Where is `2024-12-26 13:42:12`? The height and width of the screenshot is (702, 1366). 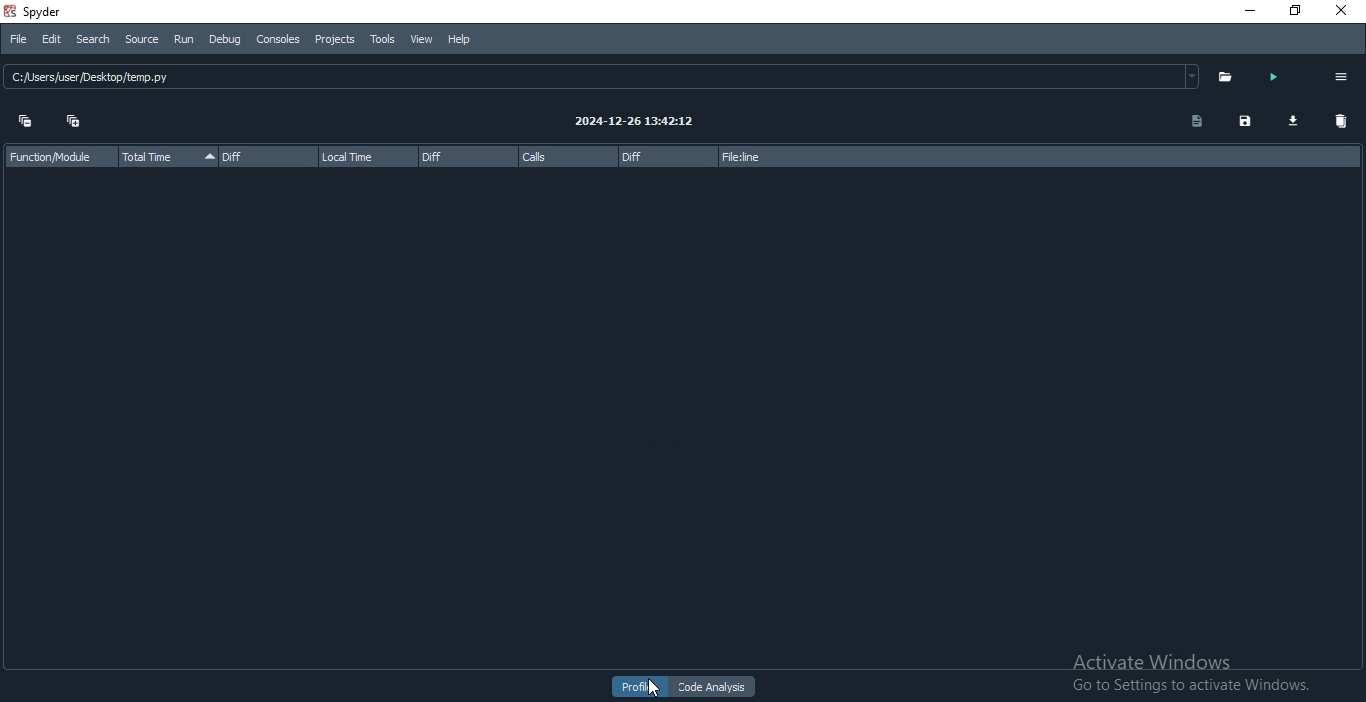
2024-12-26 13:42:12 is located at coordinates (635, 122).